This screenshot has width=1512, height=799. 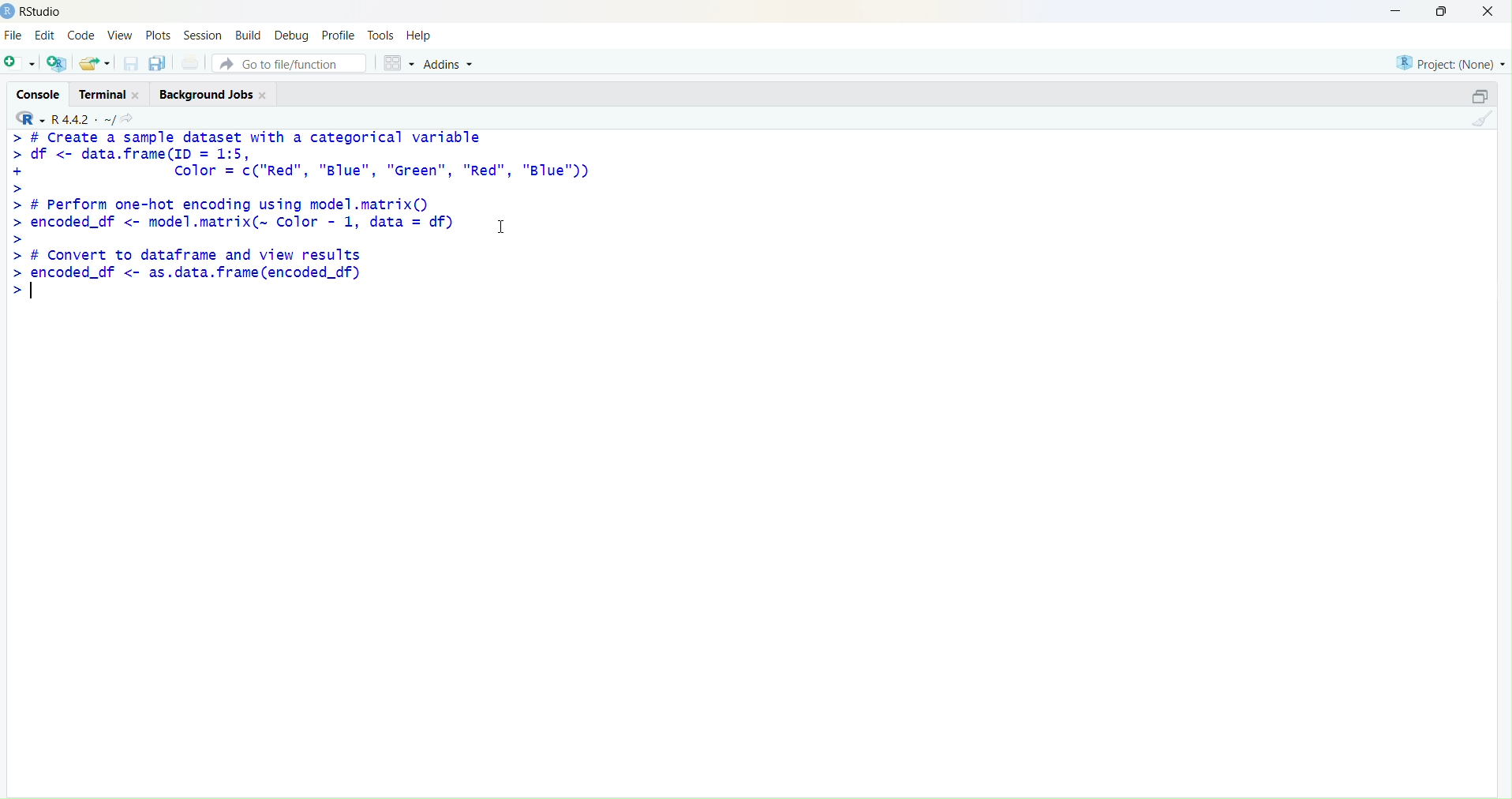 What do you see at coordinates (95, 63) in the screenshot?
I see `share folder as` at bounding box center [95, 63].